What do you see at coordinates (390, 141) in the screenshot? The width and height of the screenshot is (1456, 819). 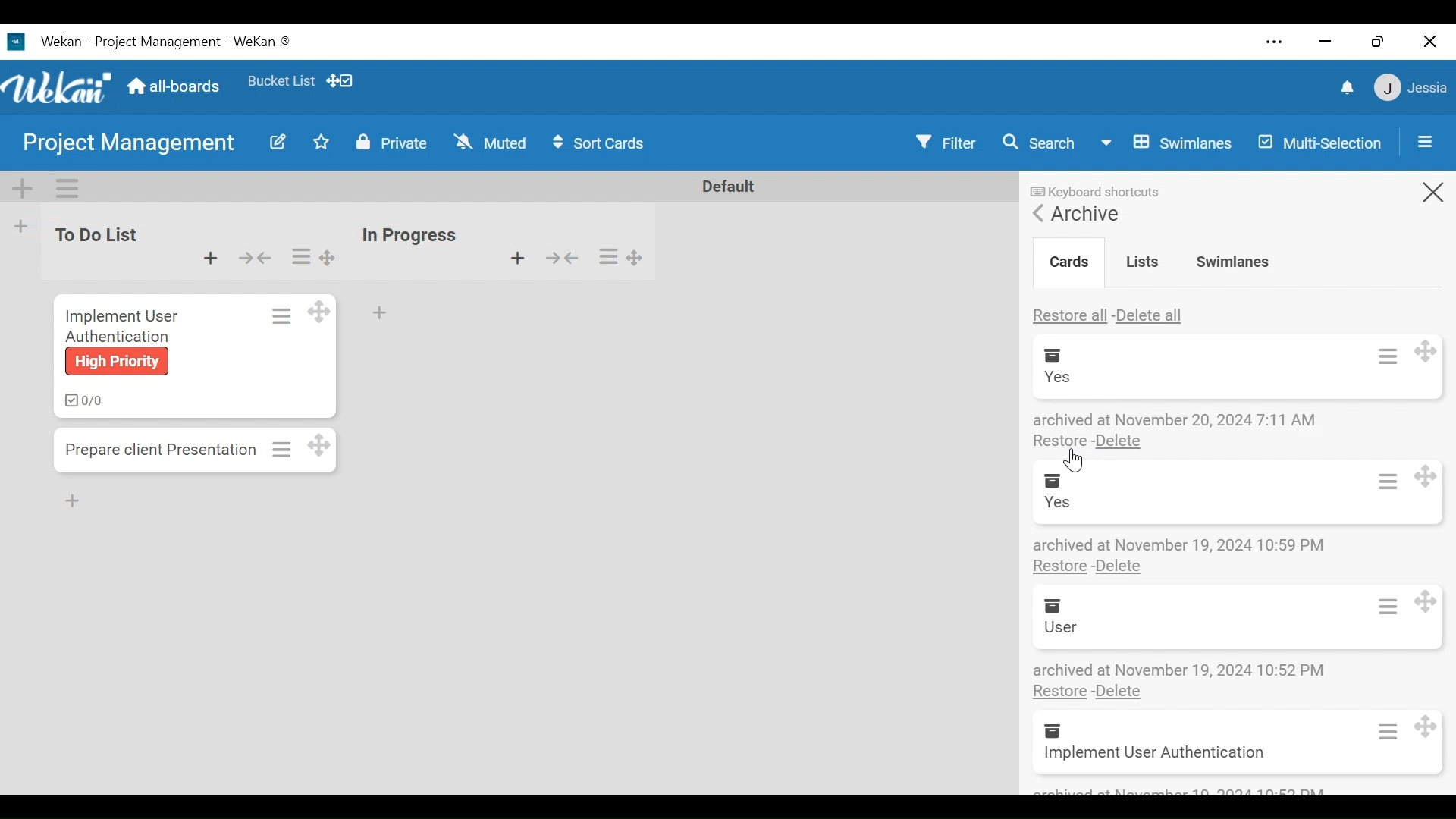 I see `Private` at bounding box center [390, 141].